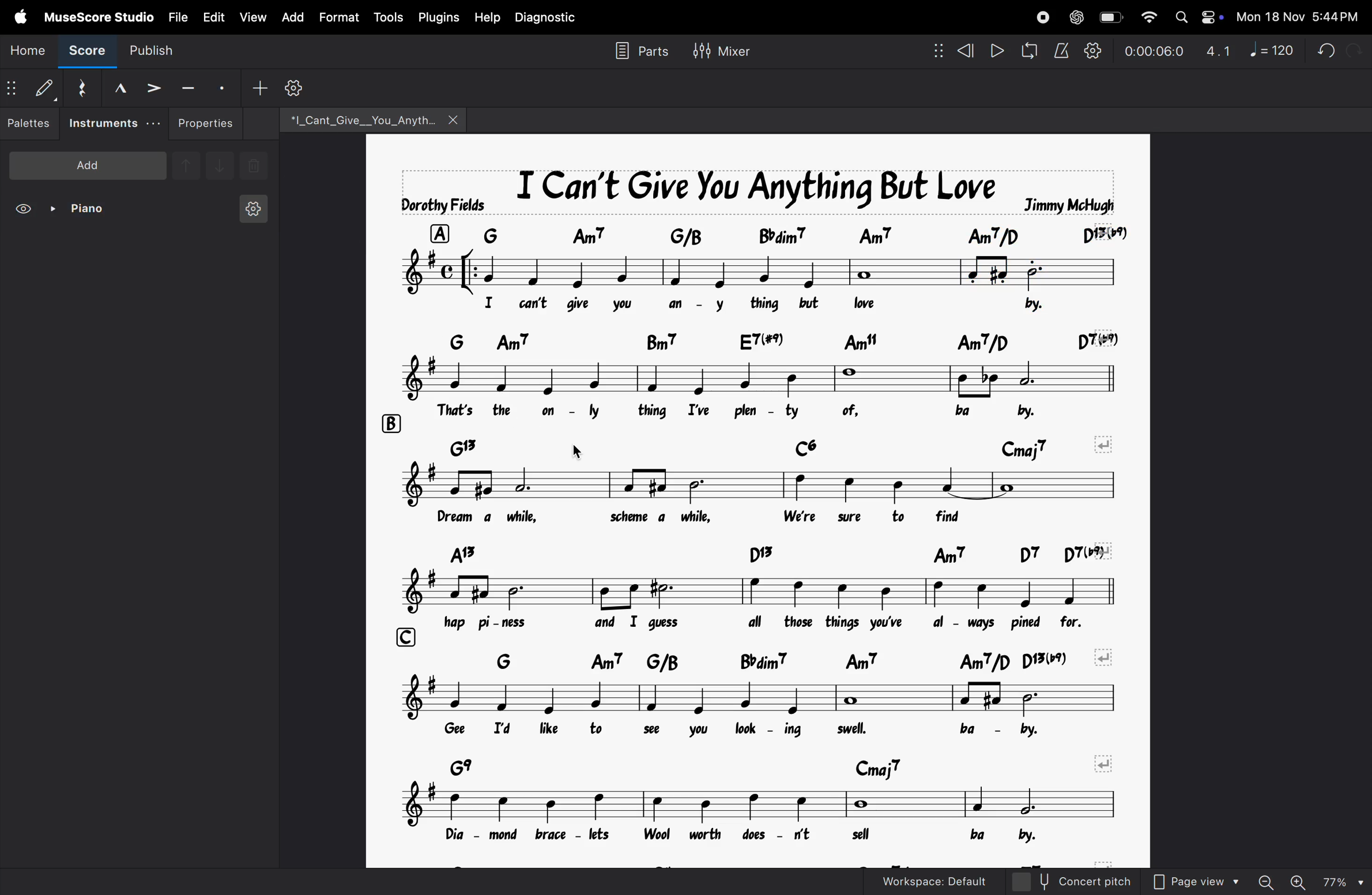 This screenshot has width=1372, height=895. I want to click on note 120, so click(1271, 51).